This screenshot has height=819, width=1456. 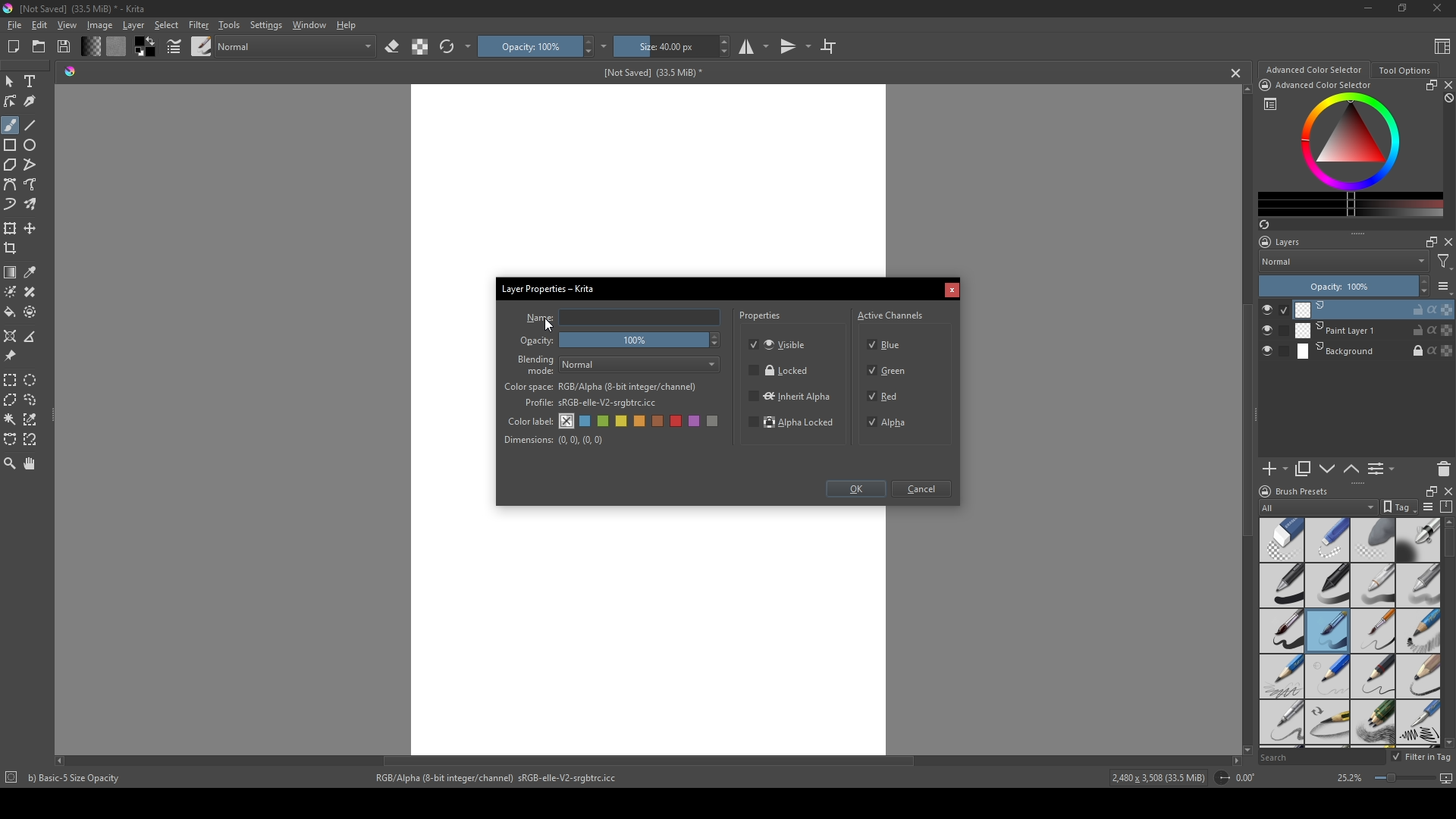 I want to click on color, so click(x=115, y=46).